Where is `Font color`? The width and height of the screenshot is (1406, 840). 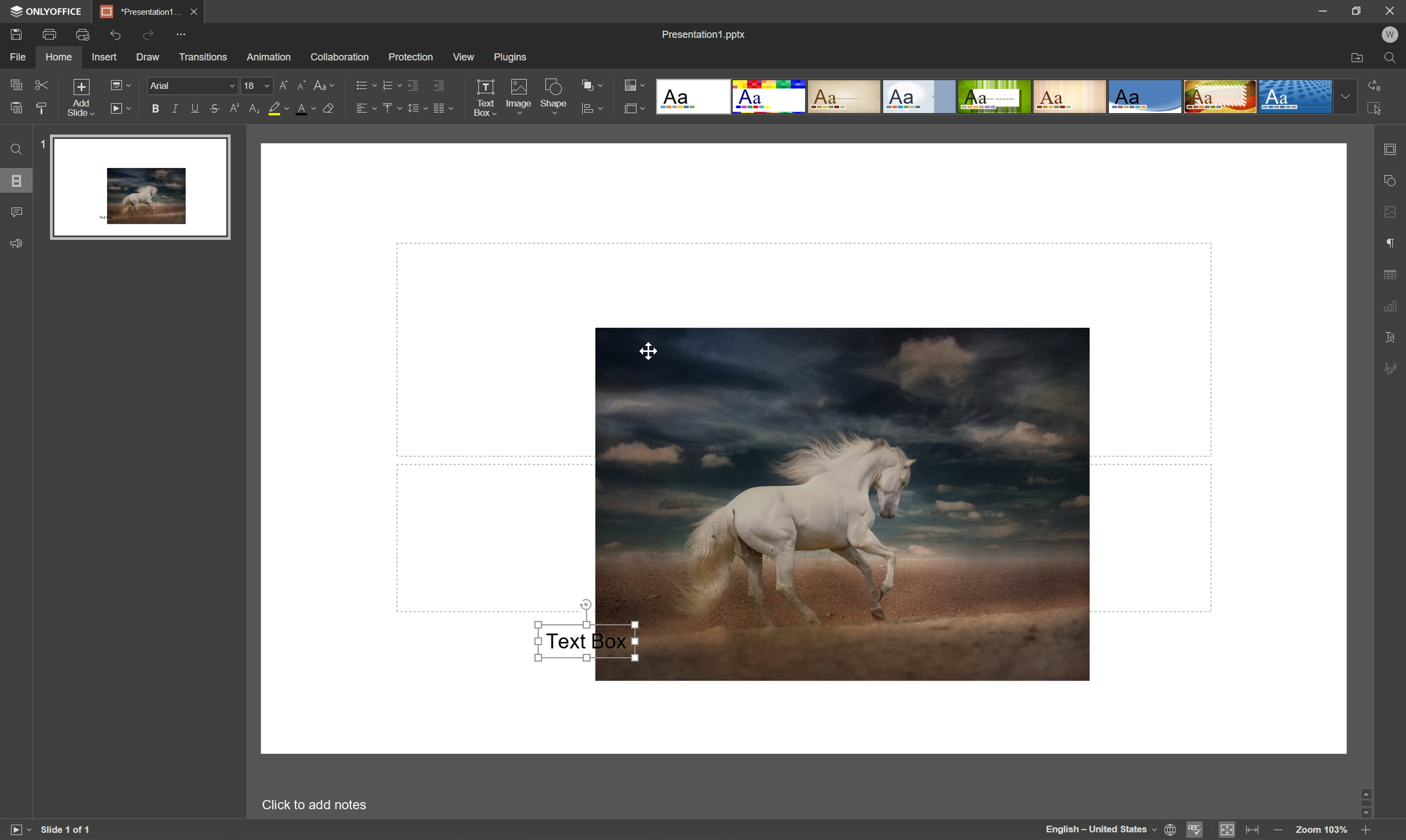 Font color is located at coordinates (305, 109).